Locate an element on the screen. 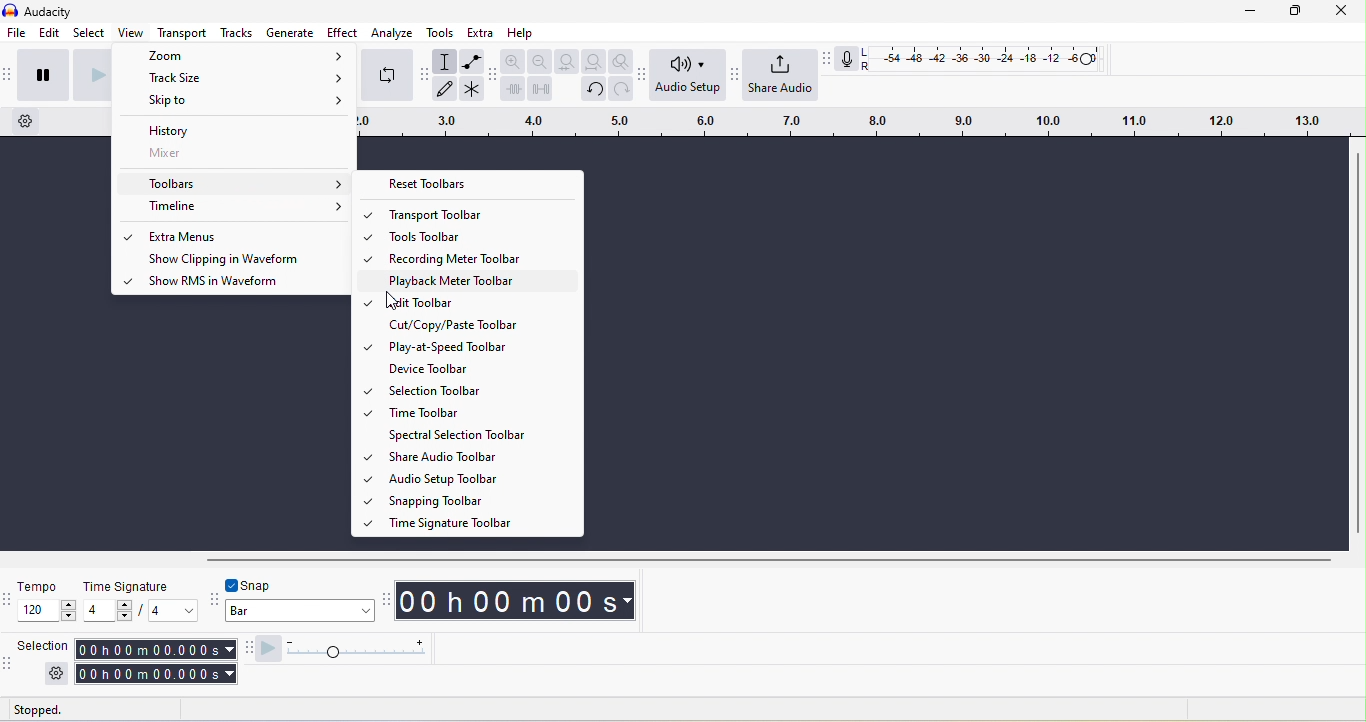 The width and height of the screenshot is (1366, 722). selection is located at coordinates (44, 645).